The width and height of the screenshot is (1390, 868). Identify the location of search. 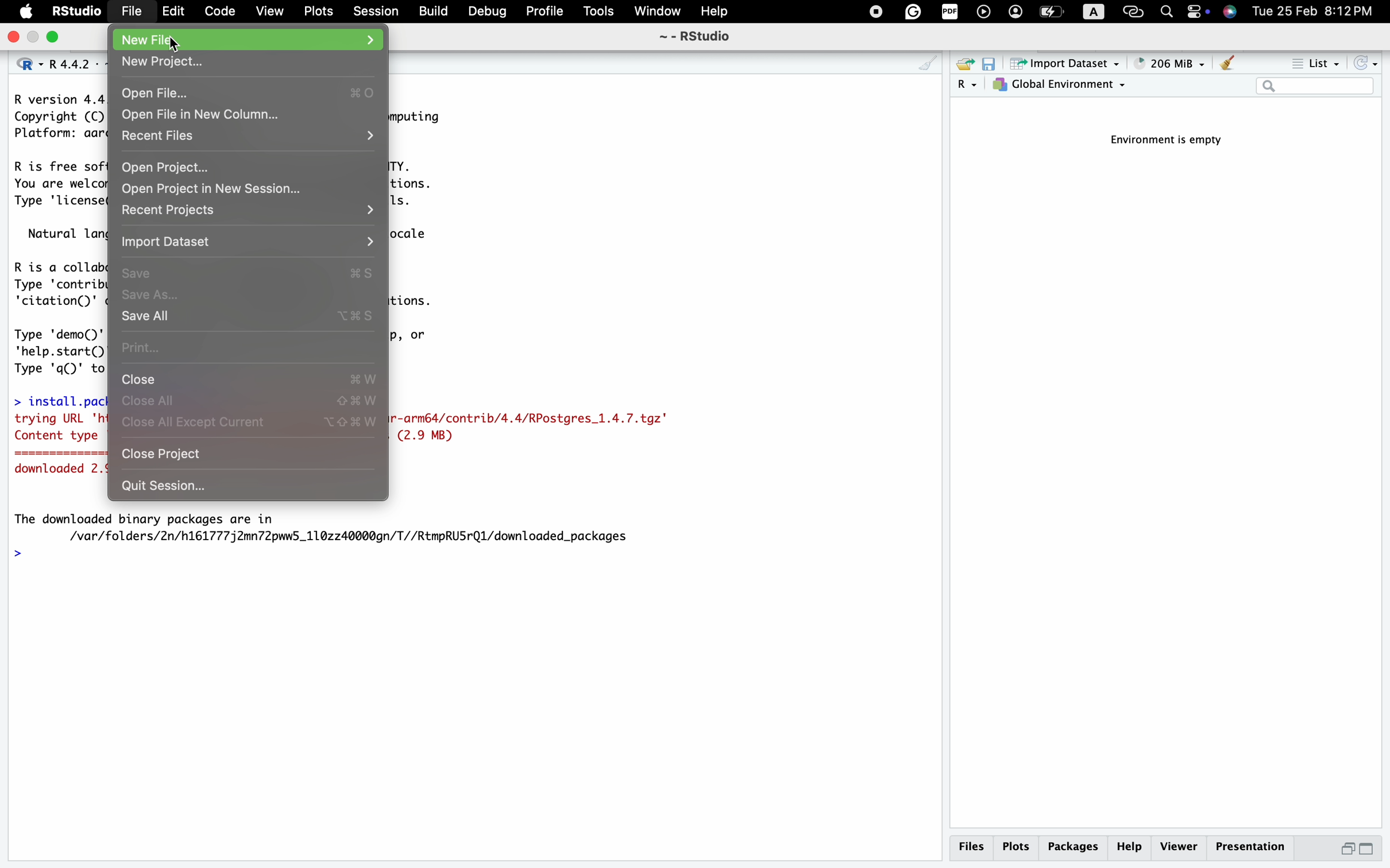
(1164, 10).